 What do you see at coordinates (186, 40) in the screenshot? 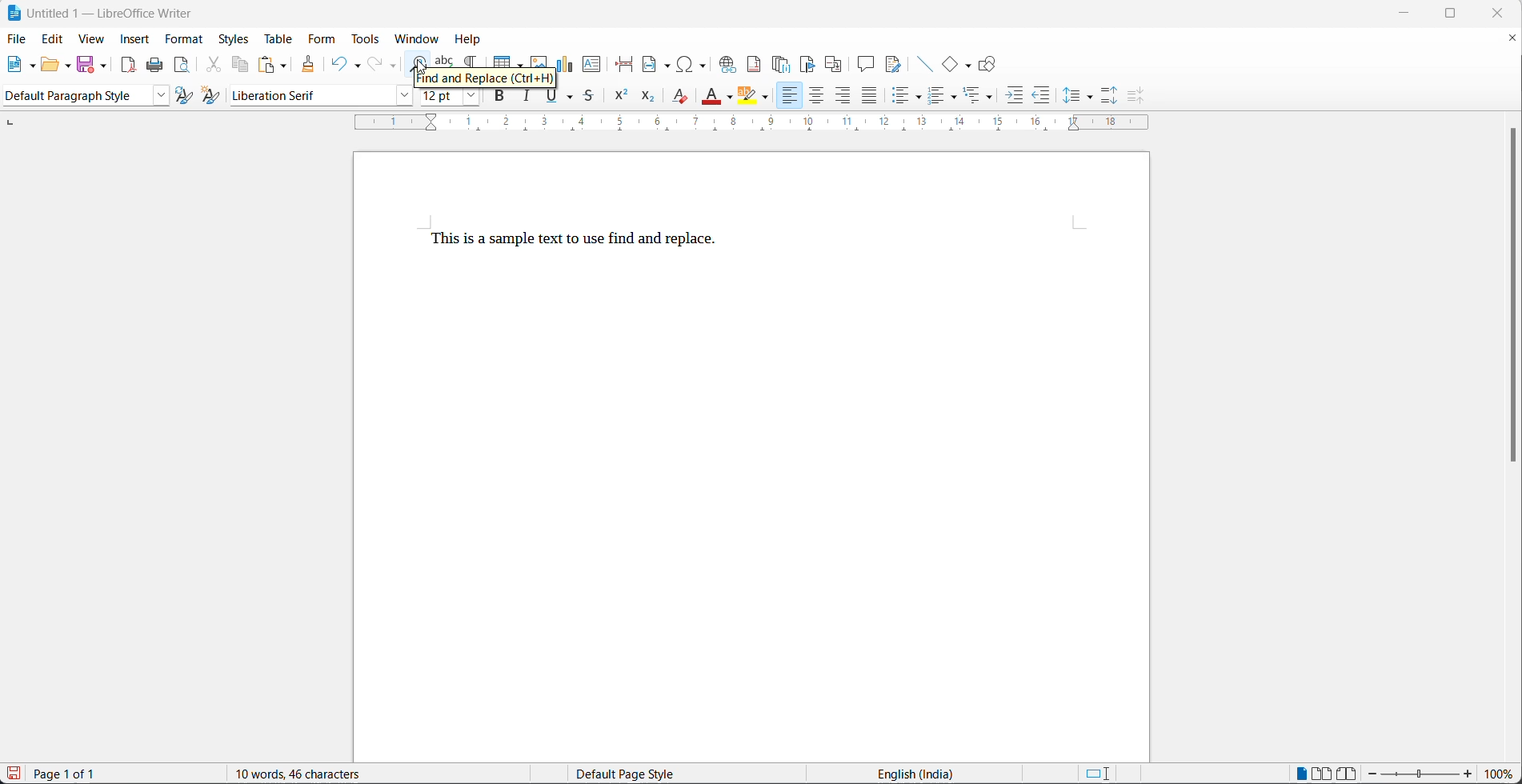
I see `format` at bounding box center [186, 40].